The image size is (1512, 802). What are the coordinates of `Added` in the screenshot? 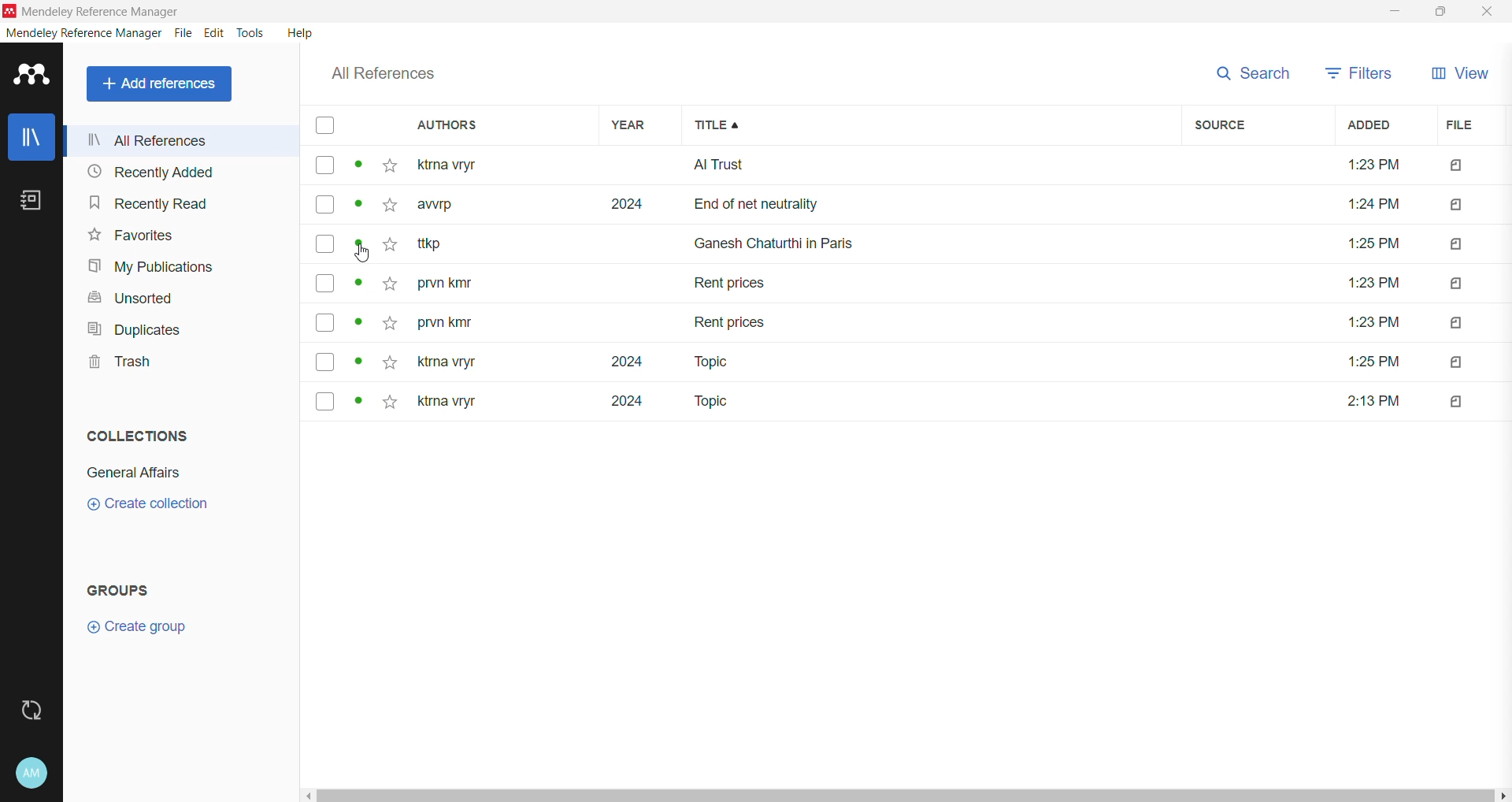 It's located at (1388, 126).